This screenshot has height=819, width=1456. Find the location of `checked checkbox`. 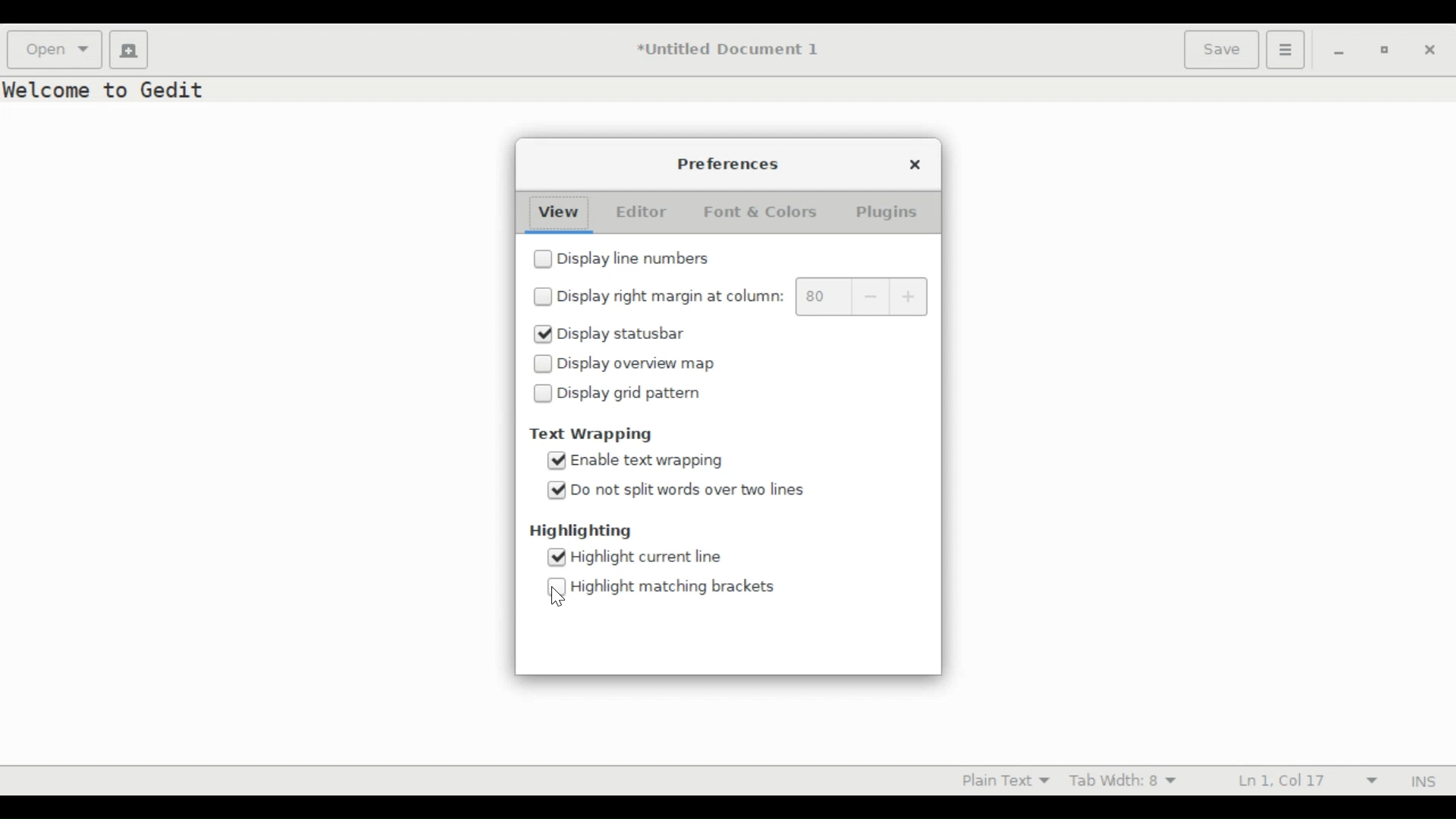

checked checkbox is located at coordinates (557, 491).